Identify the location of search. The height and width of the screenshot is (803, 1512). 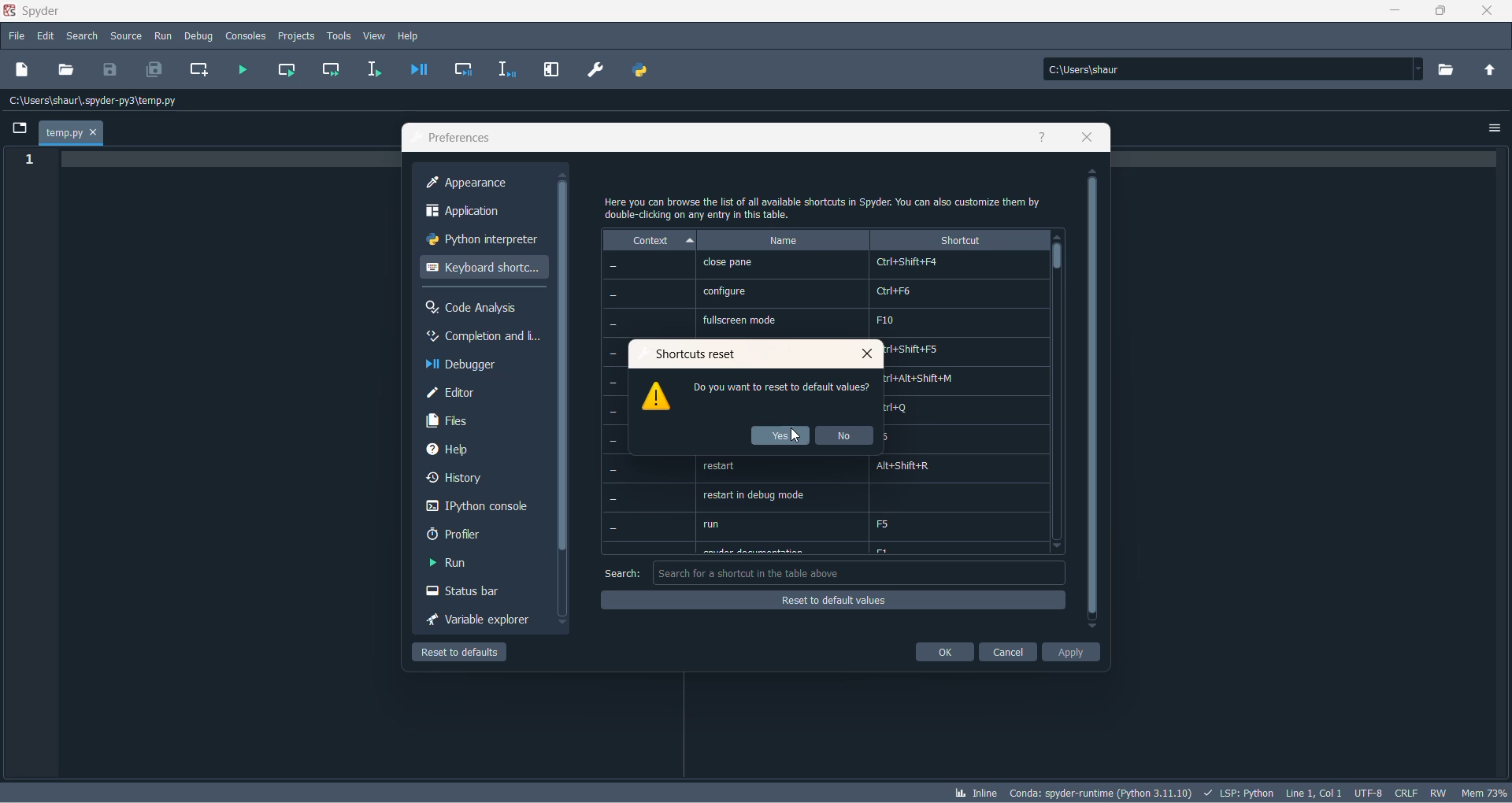
(82, 35).